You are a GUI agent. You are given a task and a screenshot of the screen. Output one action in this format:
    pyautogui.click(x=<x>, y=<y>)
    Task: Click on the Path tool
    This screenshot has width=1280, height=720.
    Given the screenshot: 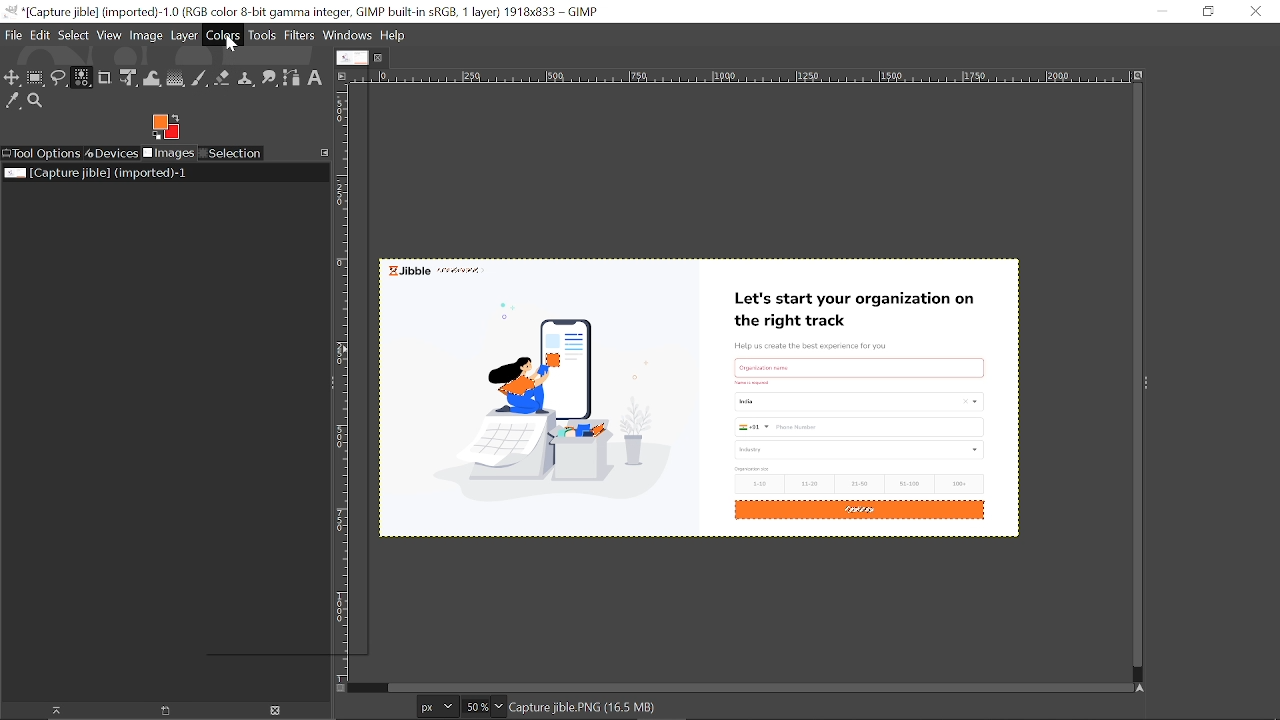 What is the action you would take?
    pyautogui.click(x=291, y=78)
    